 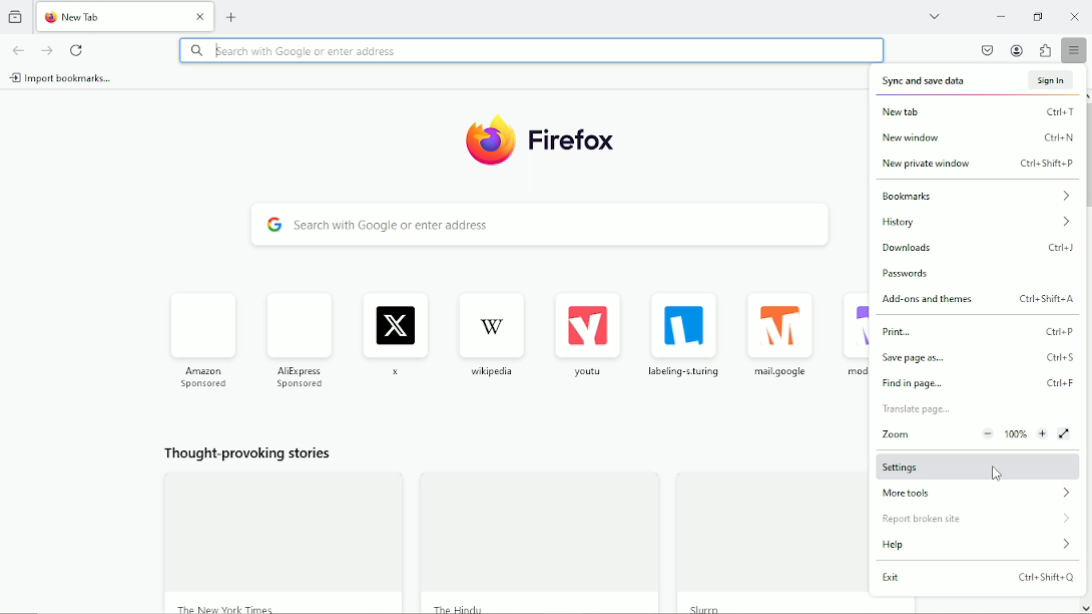 What do you see at coordinates (70, 79) in the screenshot?
I see `import bookmarks` at bounding box center [70, 79].